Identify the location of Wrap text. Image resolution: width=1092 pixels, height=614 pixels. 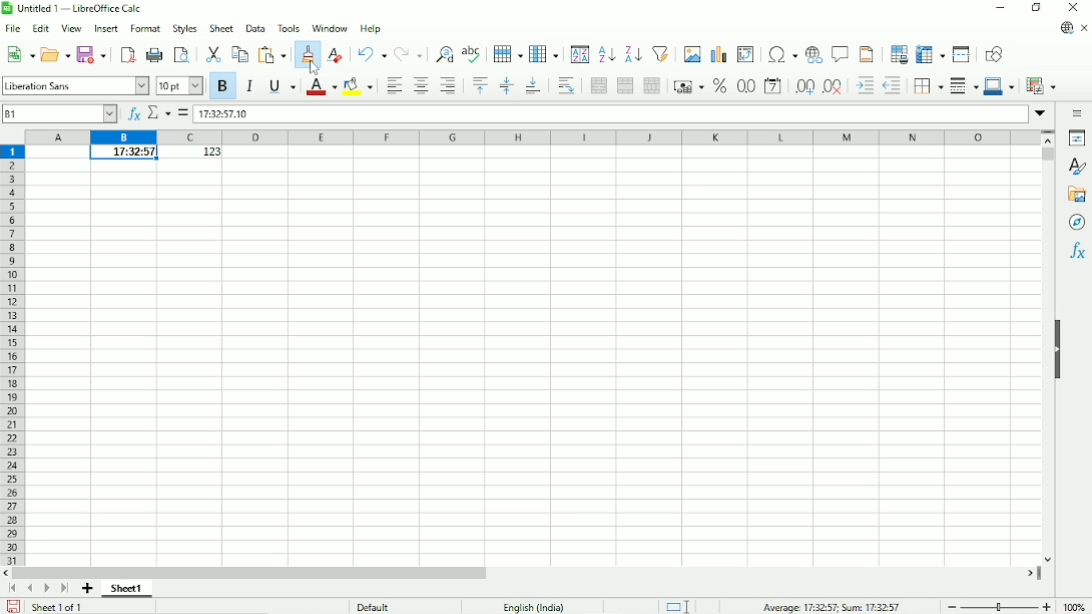
(566, 86).